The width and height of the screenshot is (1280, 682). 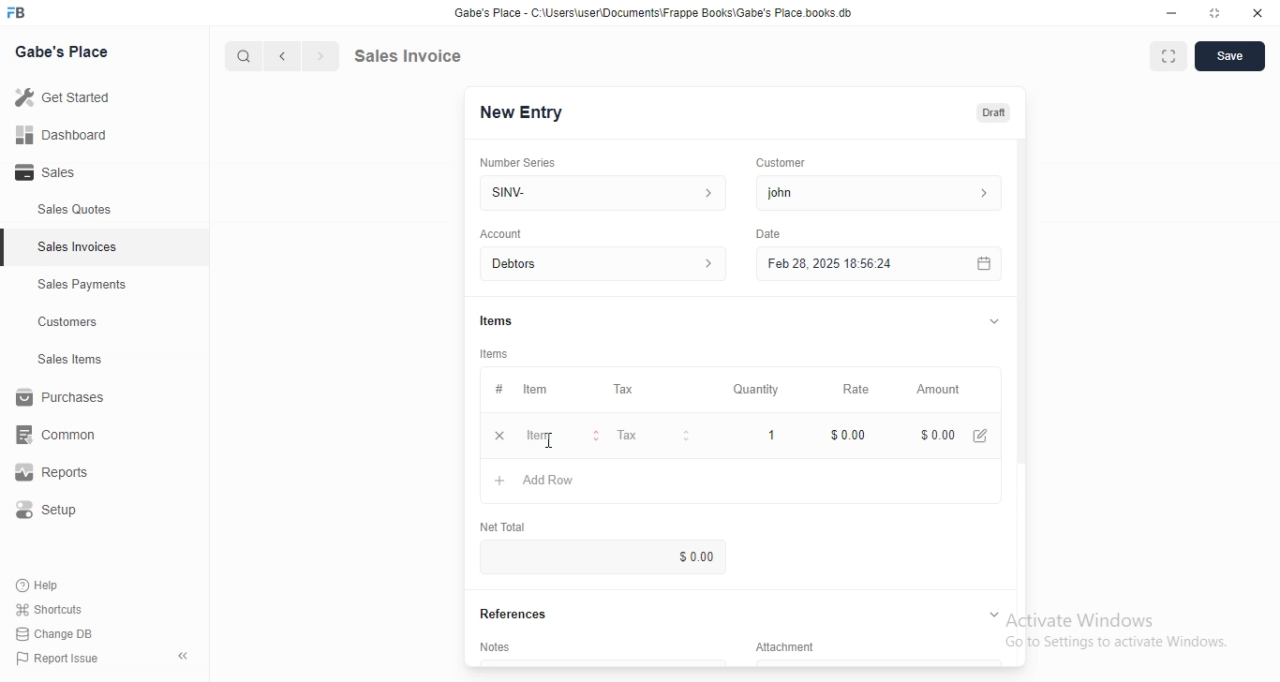 I want to click on Gabe's Place - C \Wsers\usenDocuments\Frappe Books\Gabe's Place books db, so click(x=658, y=16).